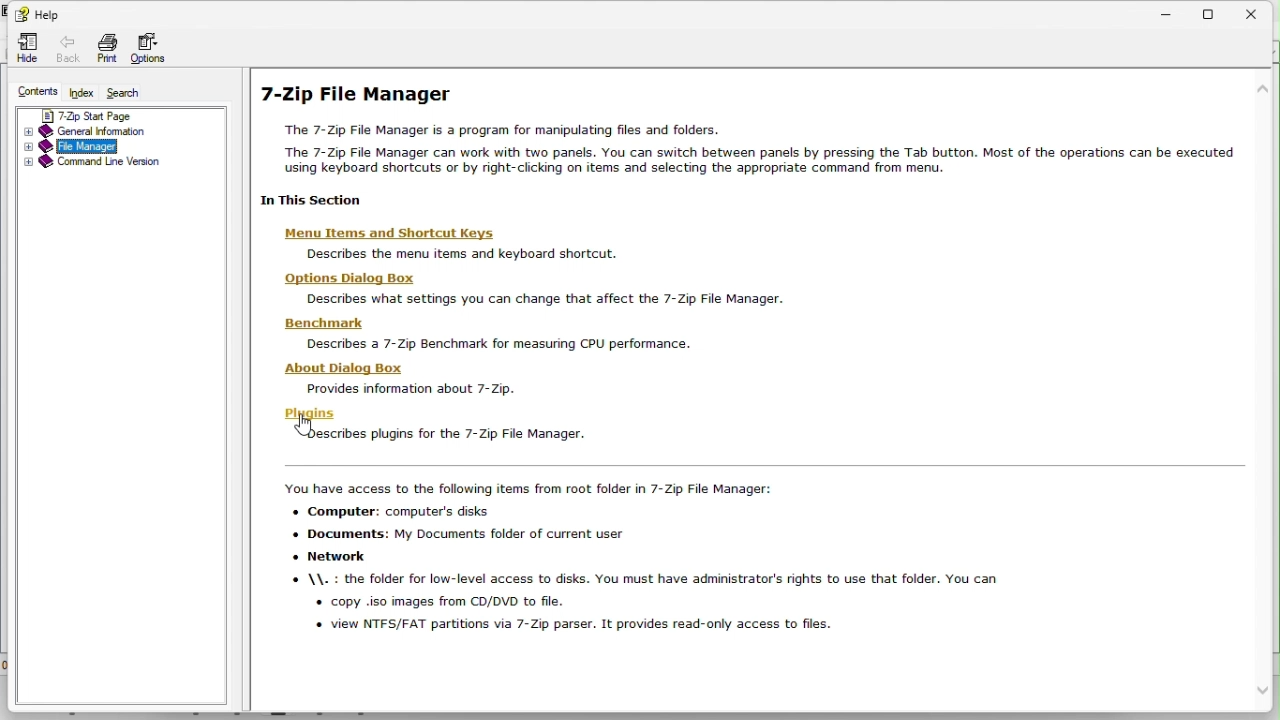  Describe the element at coordinates (343, 278) in the screenshot. I see `Options Dialog Box` at that location.